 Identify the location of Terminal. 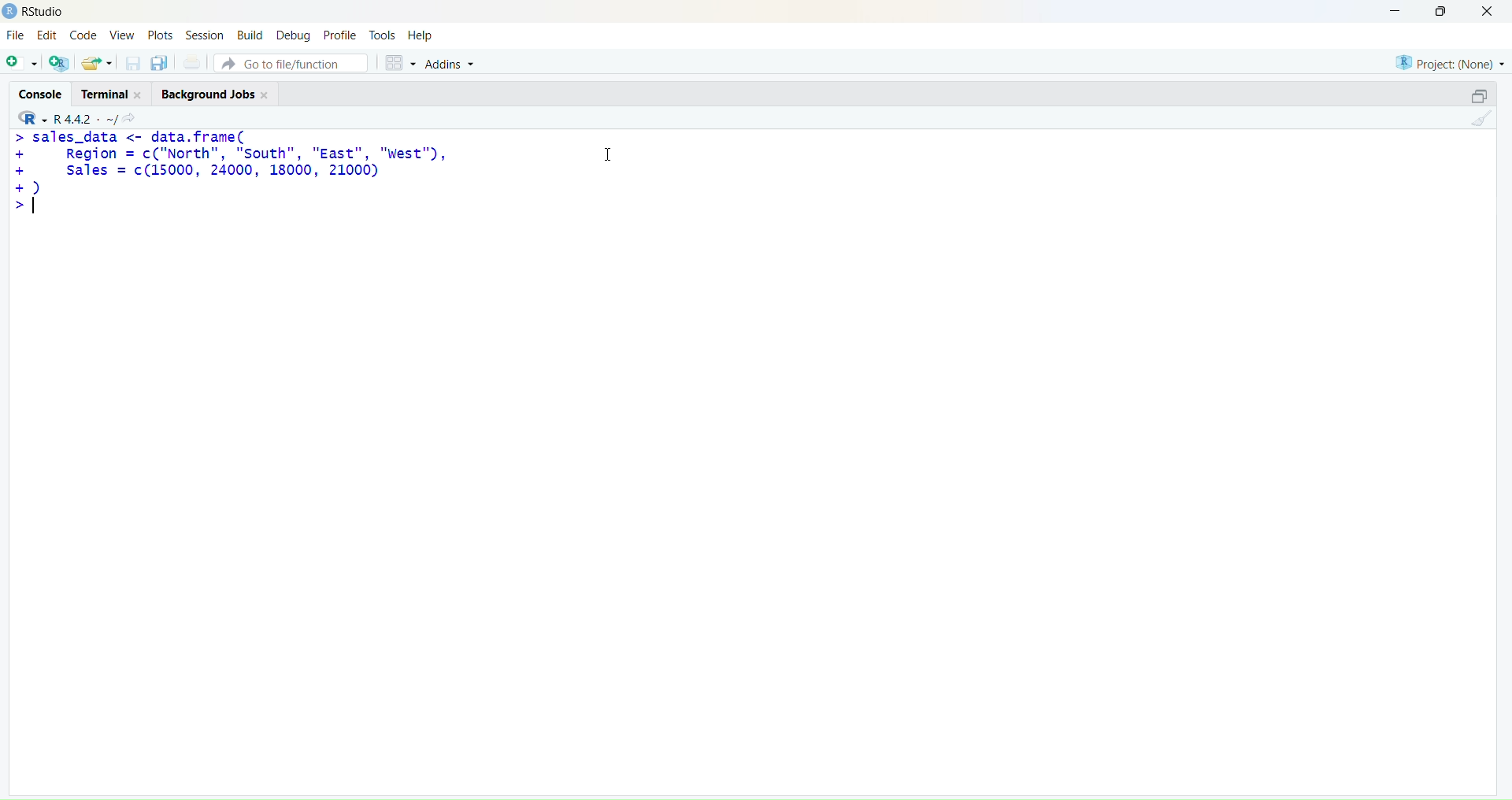
(108, 93).